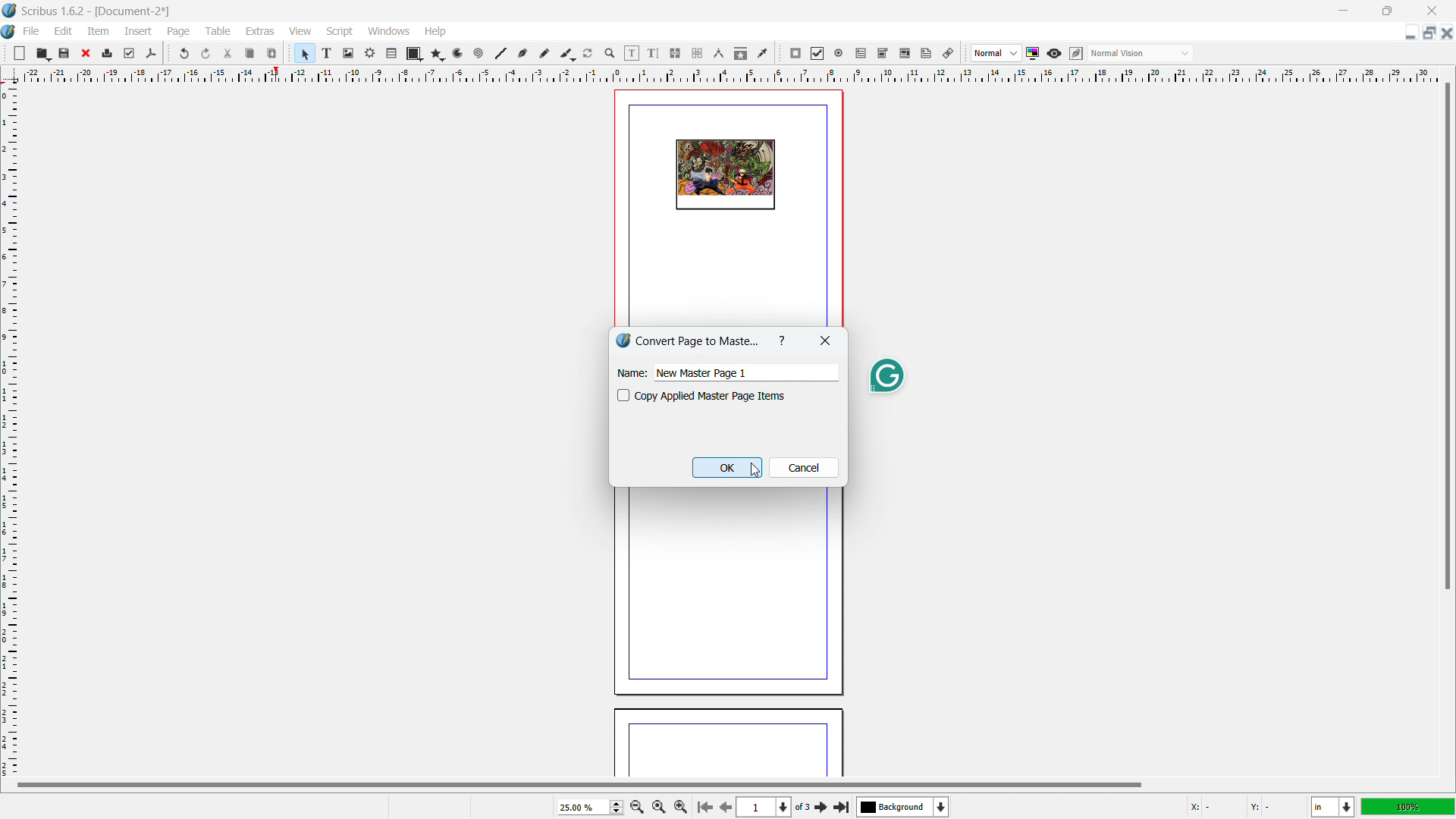 This screenshot has height=819, width=1456. I want to click on pdf push button, so click(795, 53).